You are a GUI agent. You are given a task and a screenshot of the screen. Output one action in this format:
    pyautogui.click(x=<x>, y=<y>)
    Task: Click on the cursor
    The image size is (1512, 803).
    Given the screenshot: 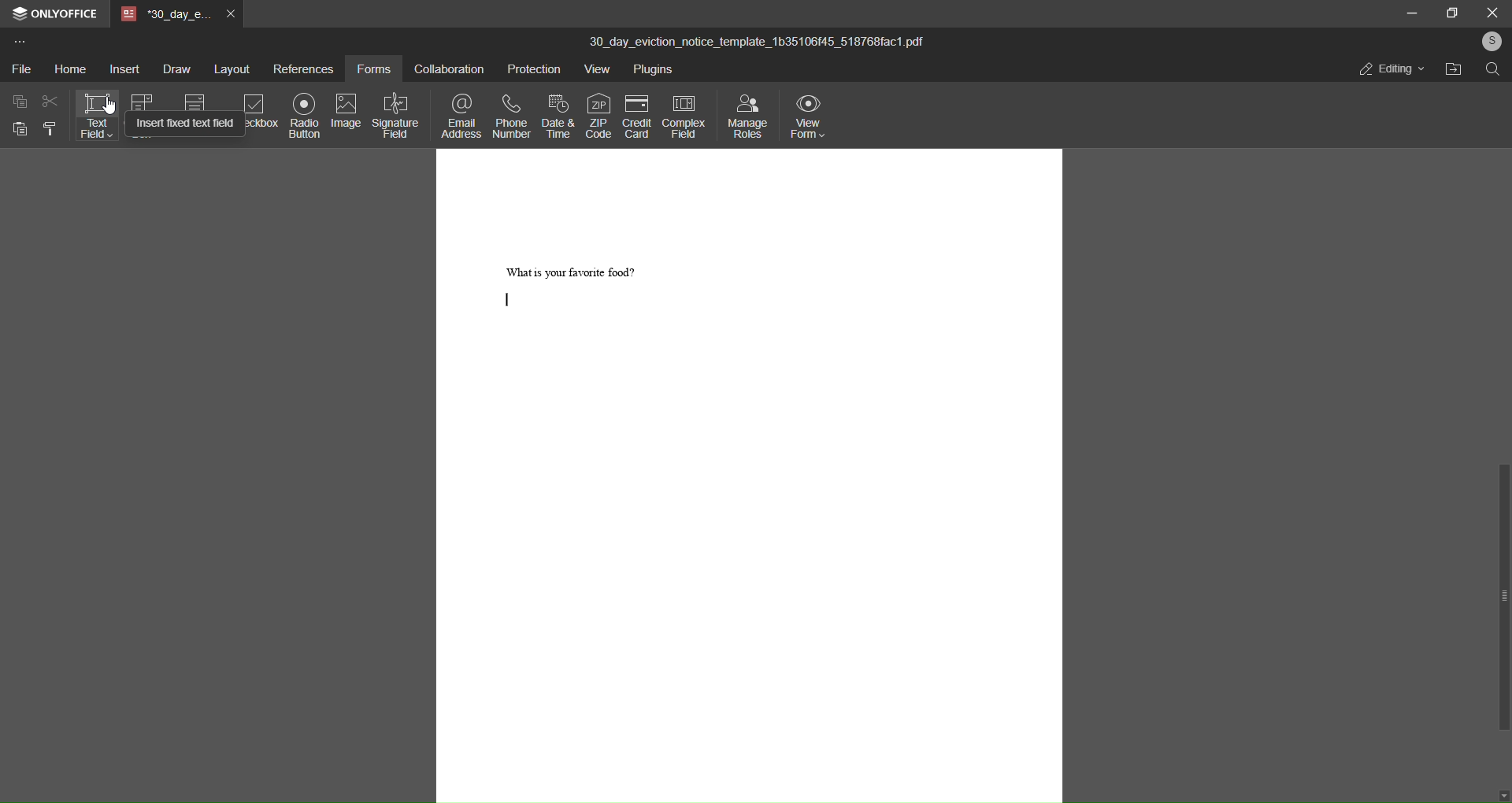 What is the action you would take?
    pyautogui.click(x=113, y=104)
    